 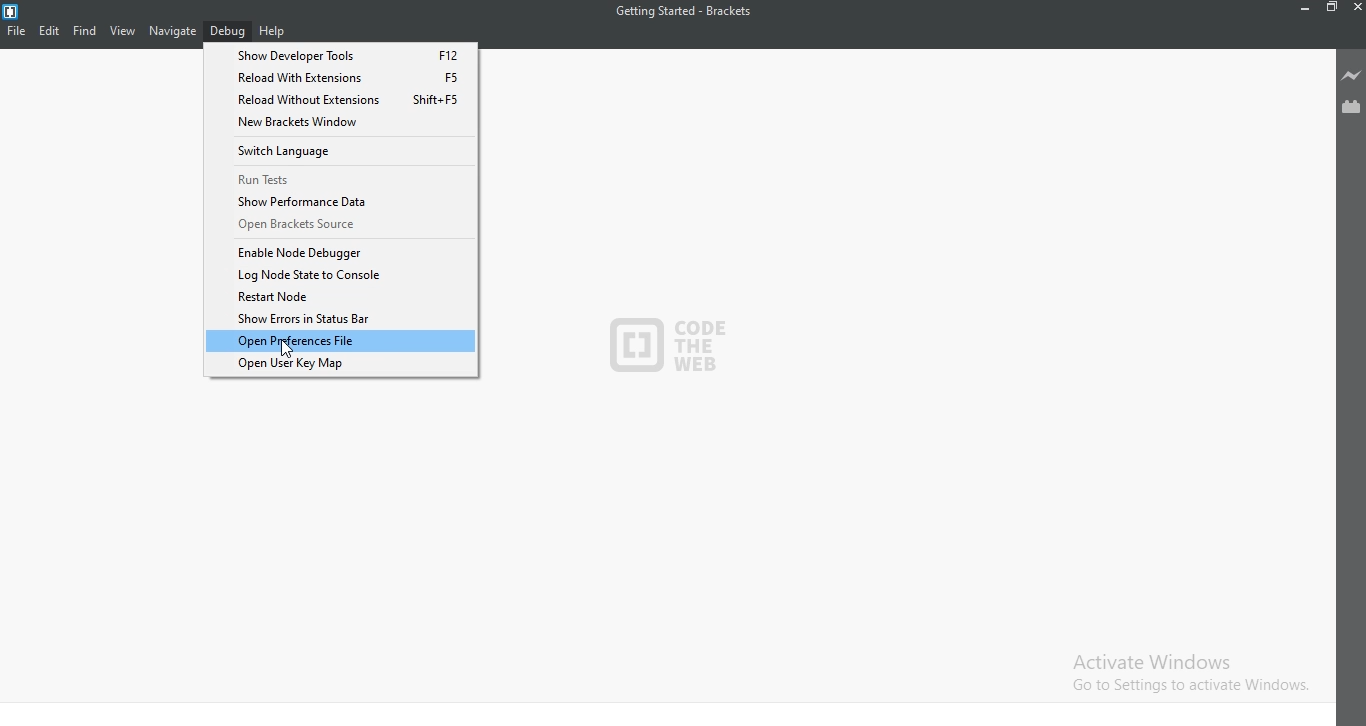 I want to click on cursor, so click(x=290, y=346).